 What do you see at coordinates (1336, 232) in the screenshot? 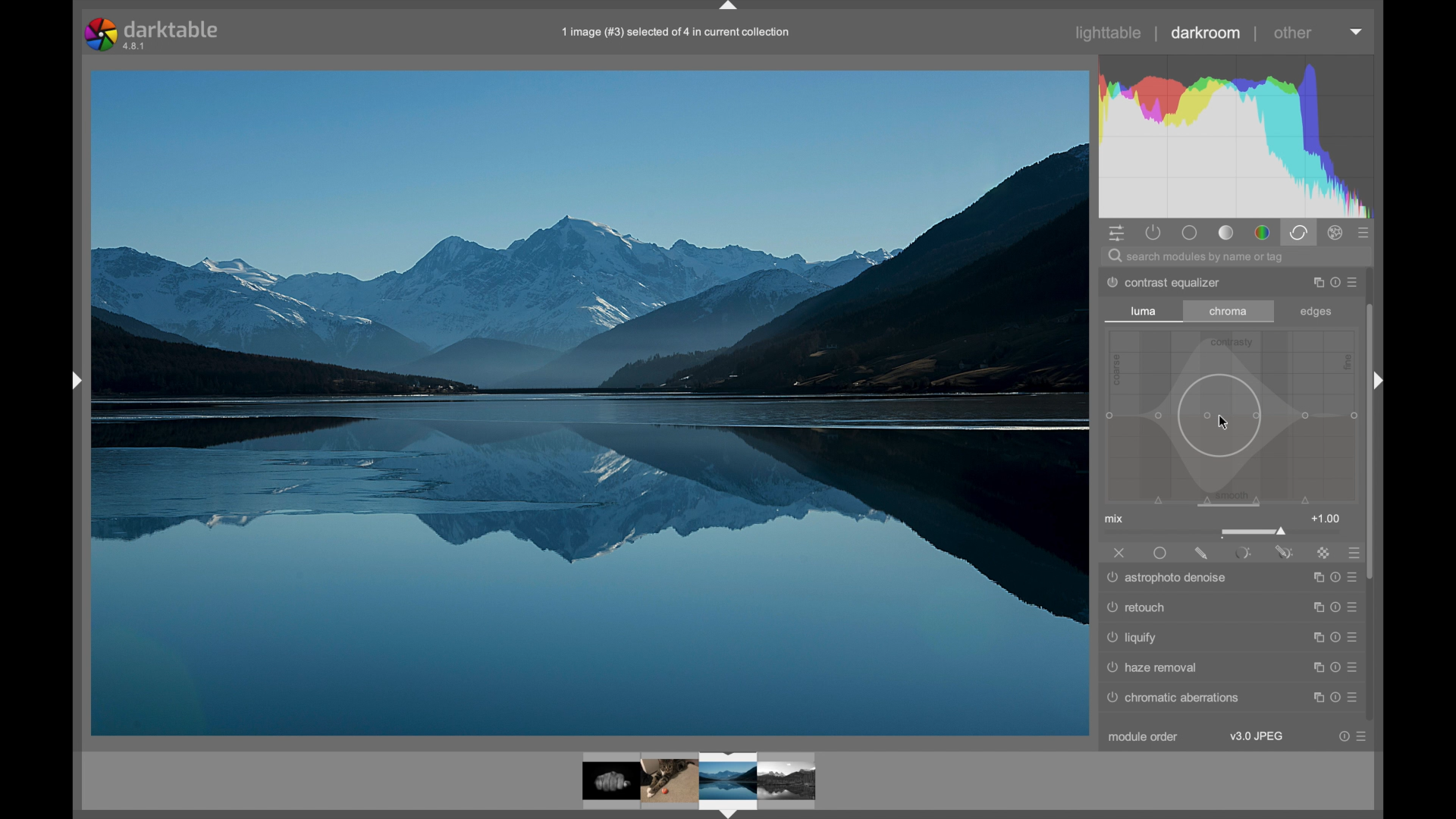
I see `effect` at bounding box center [1336, 232].